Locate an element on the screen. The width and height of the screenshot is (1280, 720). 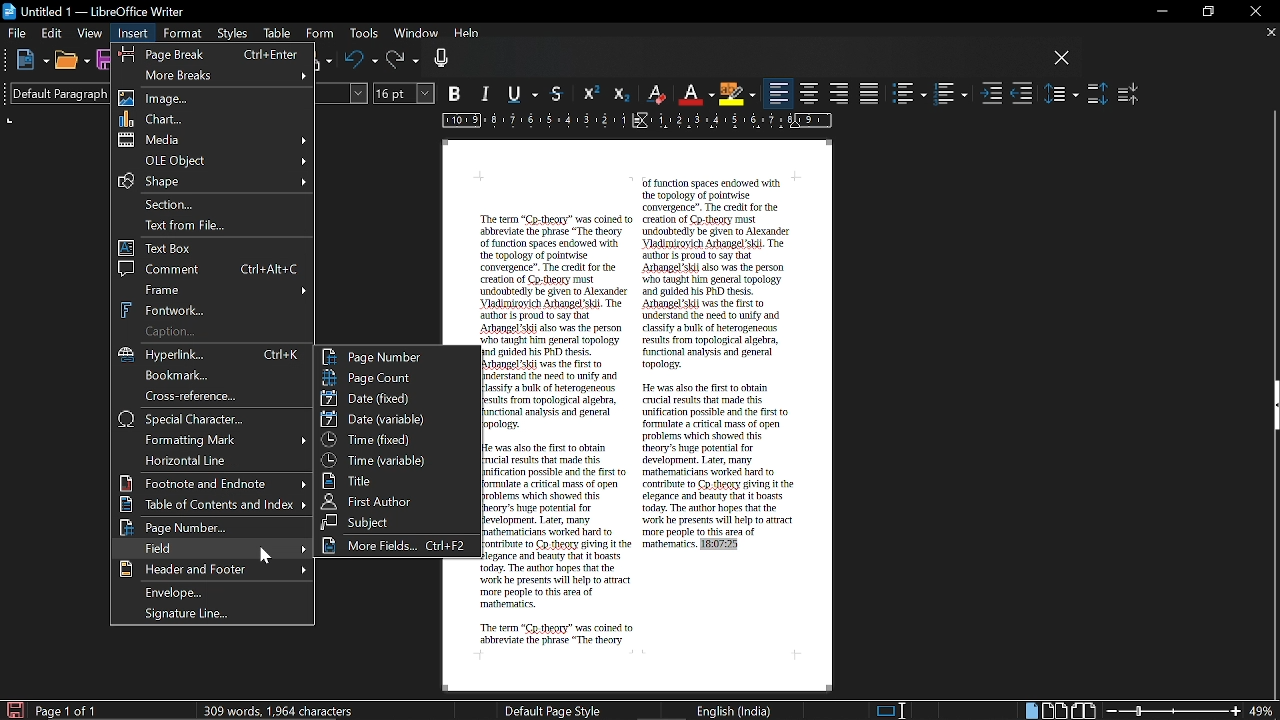
Set line spacing is located at coordinates (1062, 93).